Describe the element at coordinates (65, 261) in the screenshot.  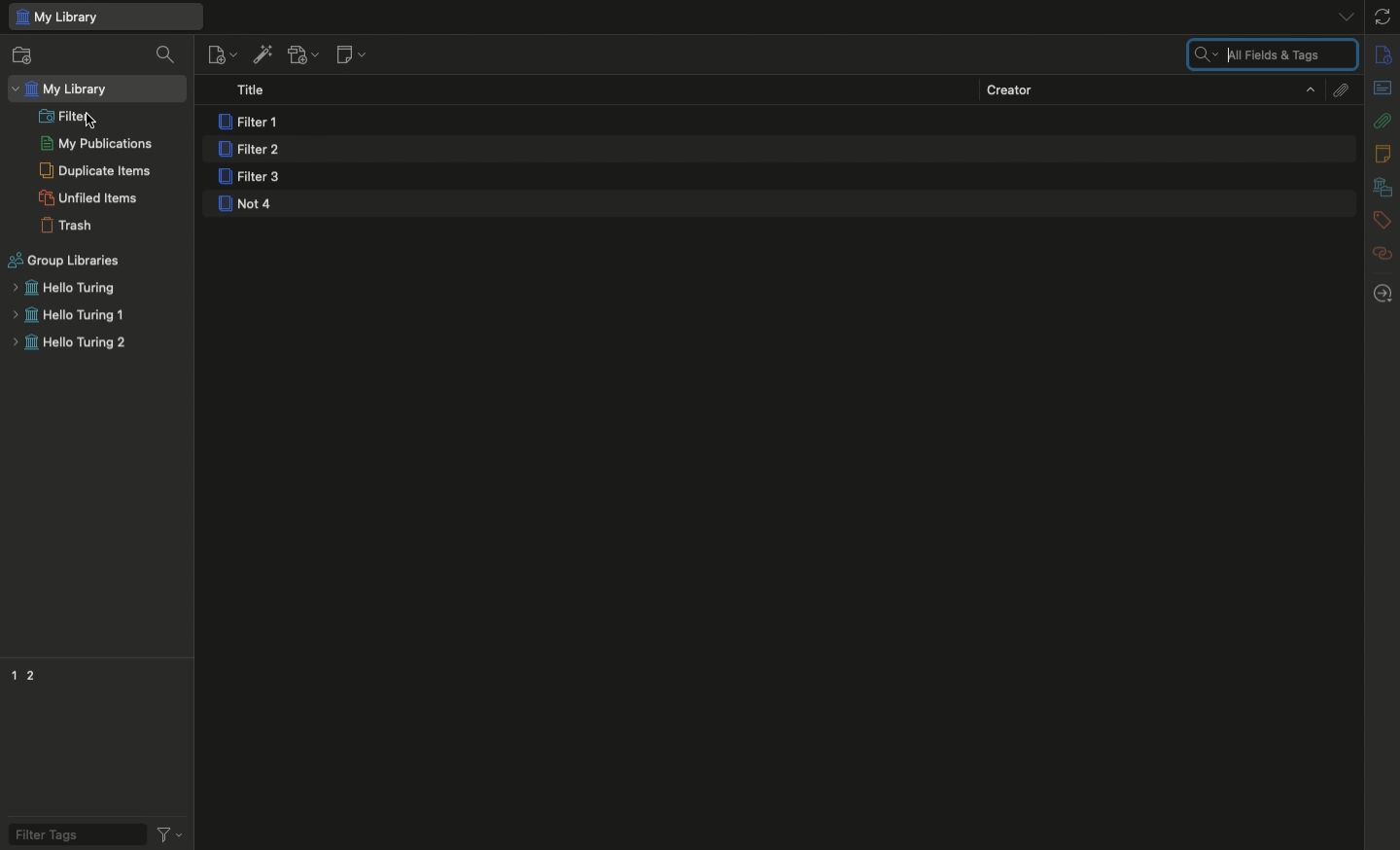
I see `Group libraries` at that location.